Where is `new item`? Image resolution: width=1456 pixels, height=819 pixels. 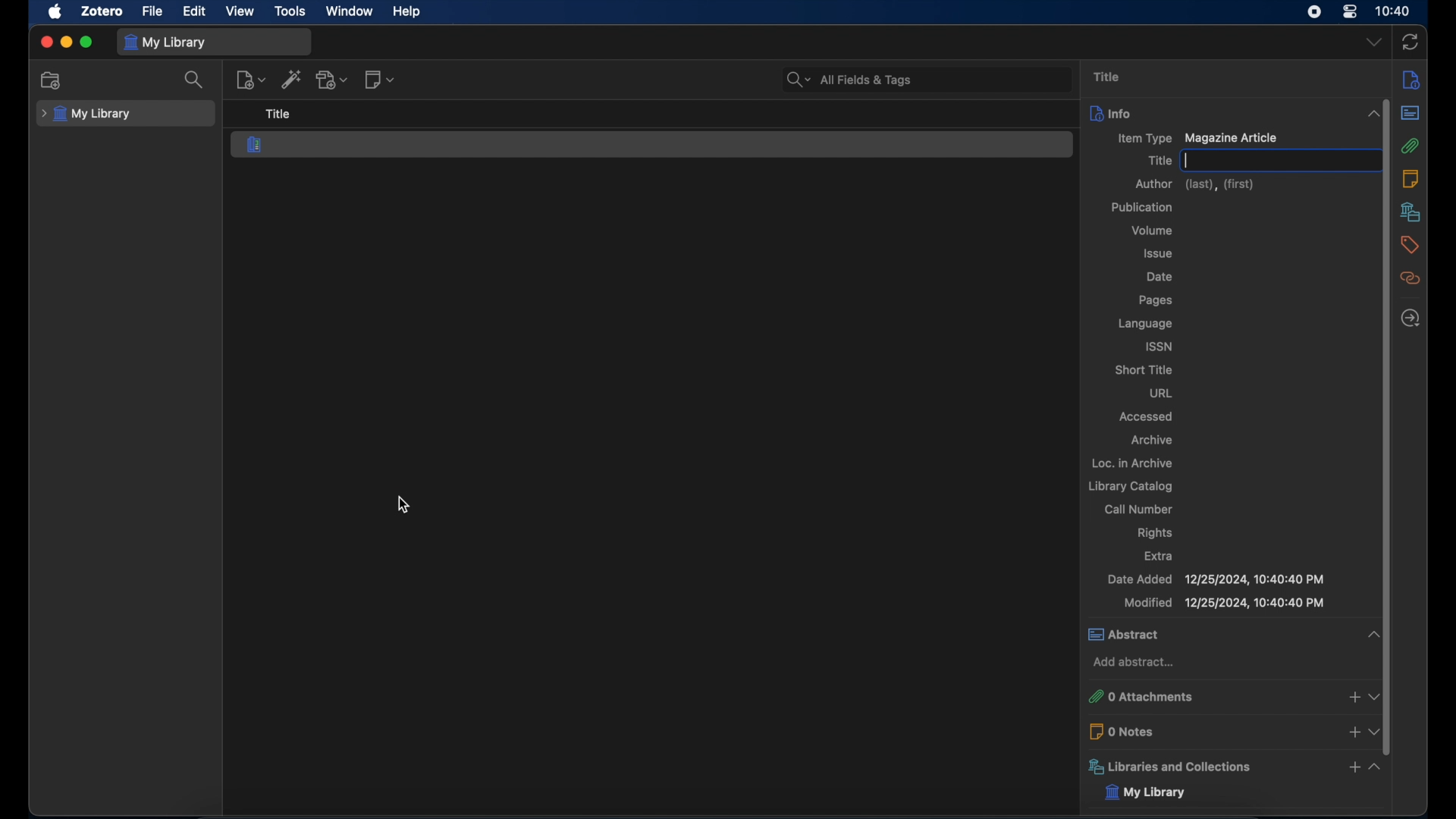
new item is located at coordinates (250, 80).